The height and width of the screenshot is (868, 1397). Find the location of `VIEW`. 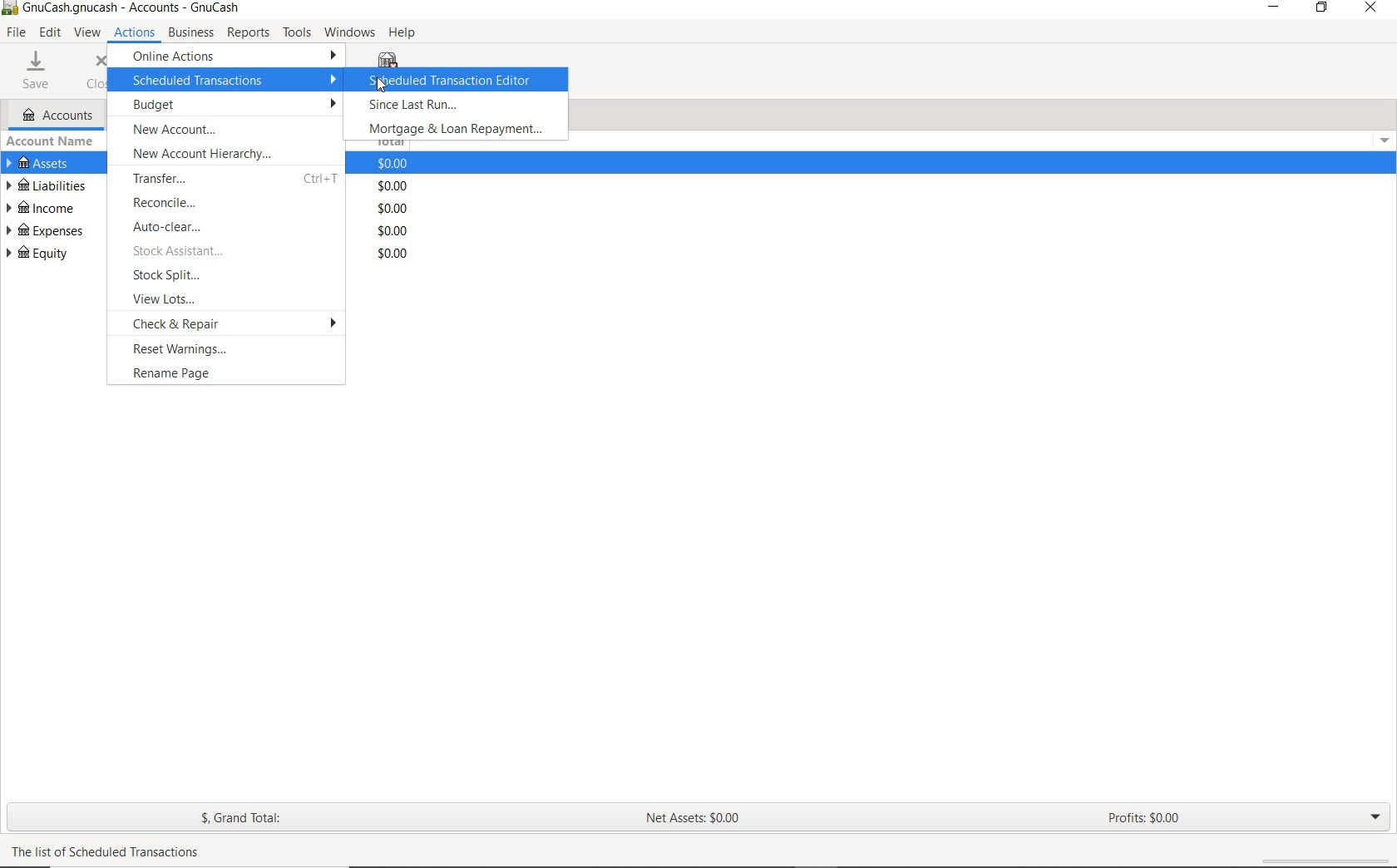

VIEW is located at coordinates (87, 33).